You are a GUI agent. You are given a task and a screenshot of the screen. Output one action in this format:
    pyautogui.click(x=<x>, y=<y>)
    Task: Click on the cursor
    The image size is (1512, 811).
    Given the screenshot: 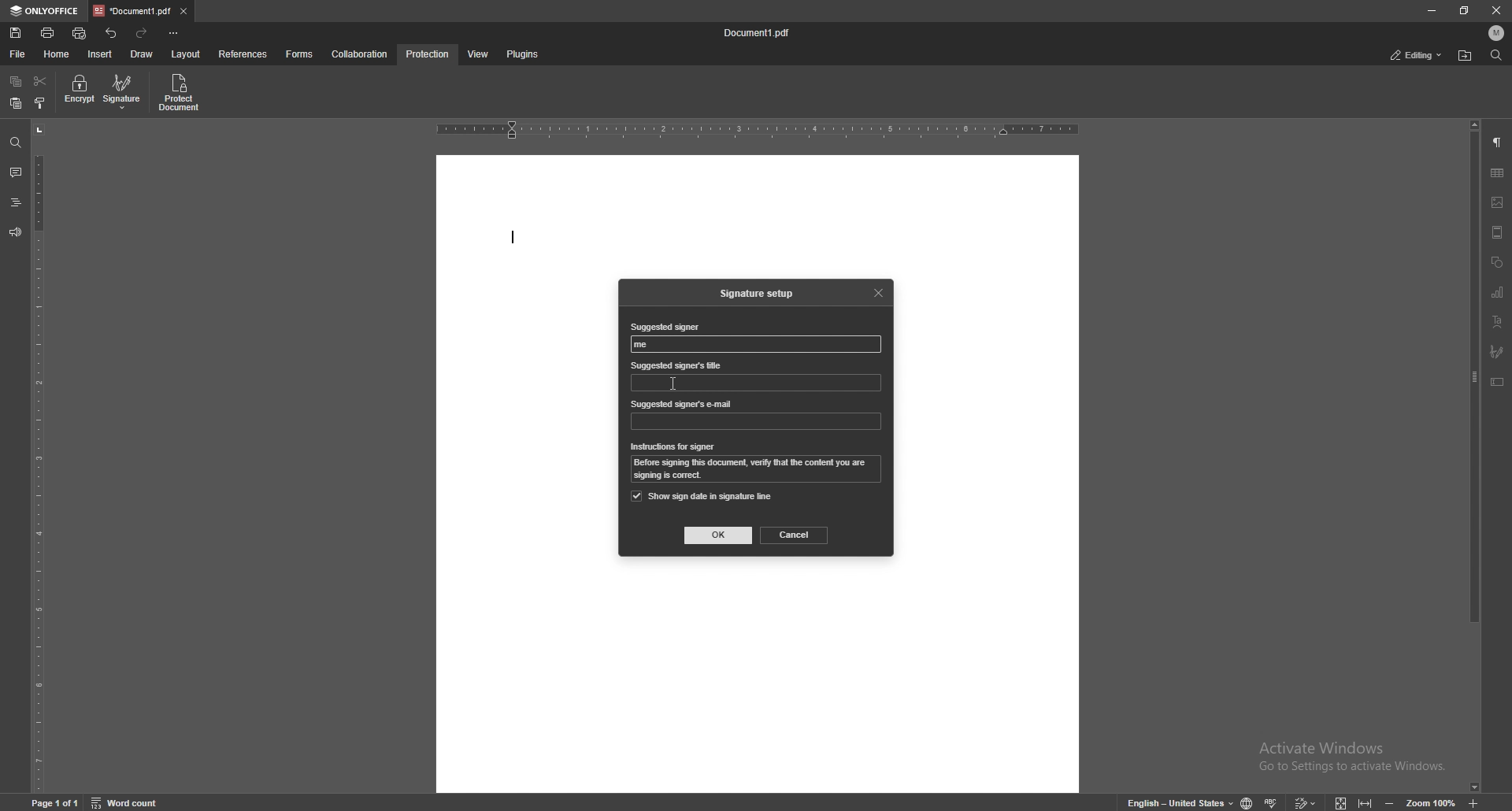 What is the action you would take?
    pyautogui.click(x=673, y=383)
    